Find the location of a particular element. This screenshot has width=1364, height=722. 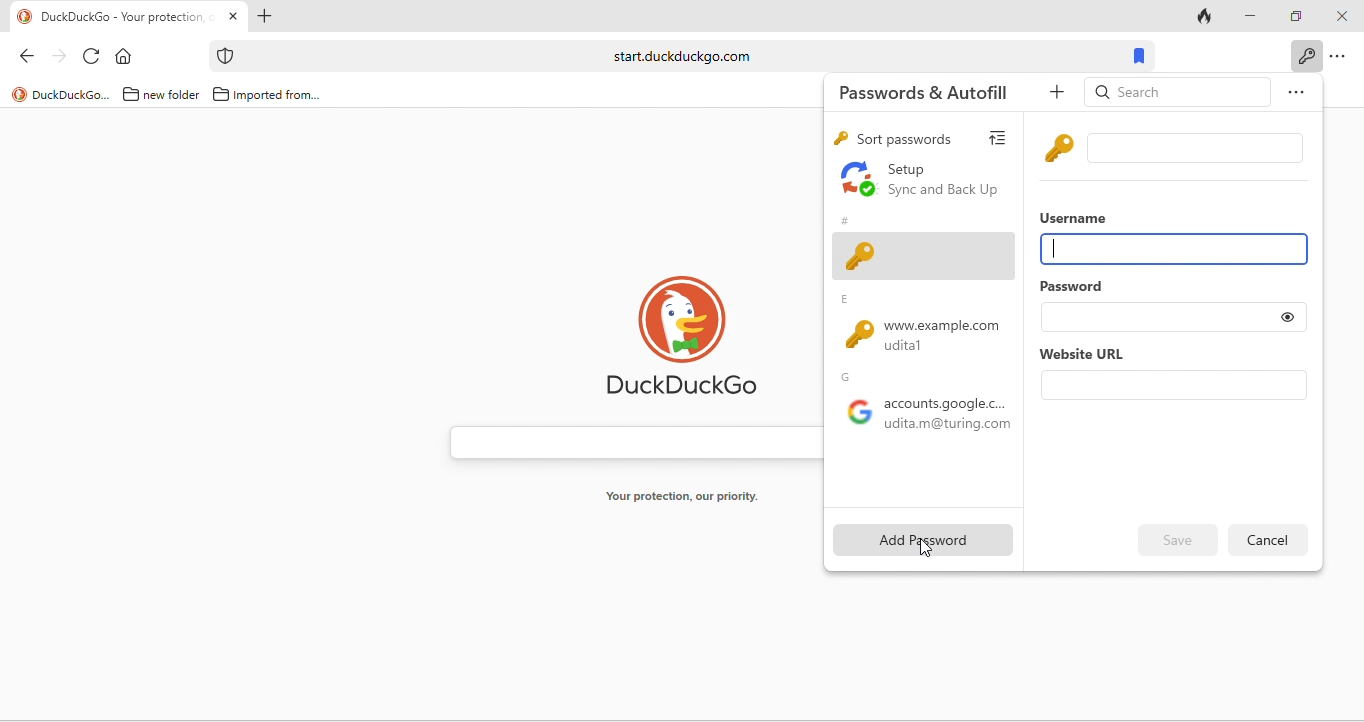

bookmarks is located at coordinates (1141, 58).